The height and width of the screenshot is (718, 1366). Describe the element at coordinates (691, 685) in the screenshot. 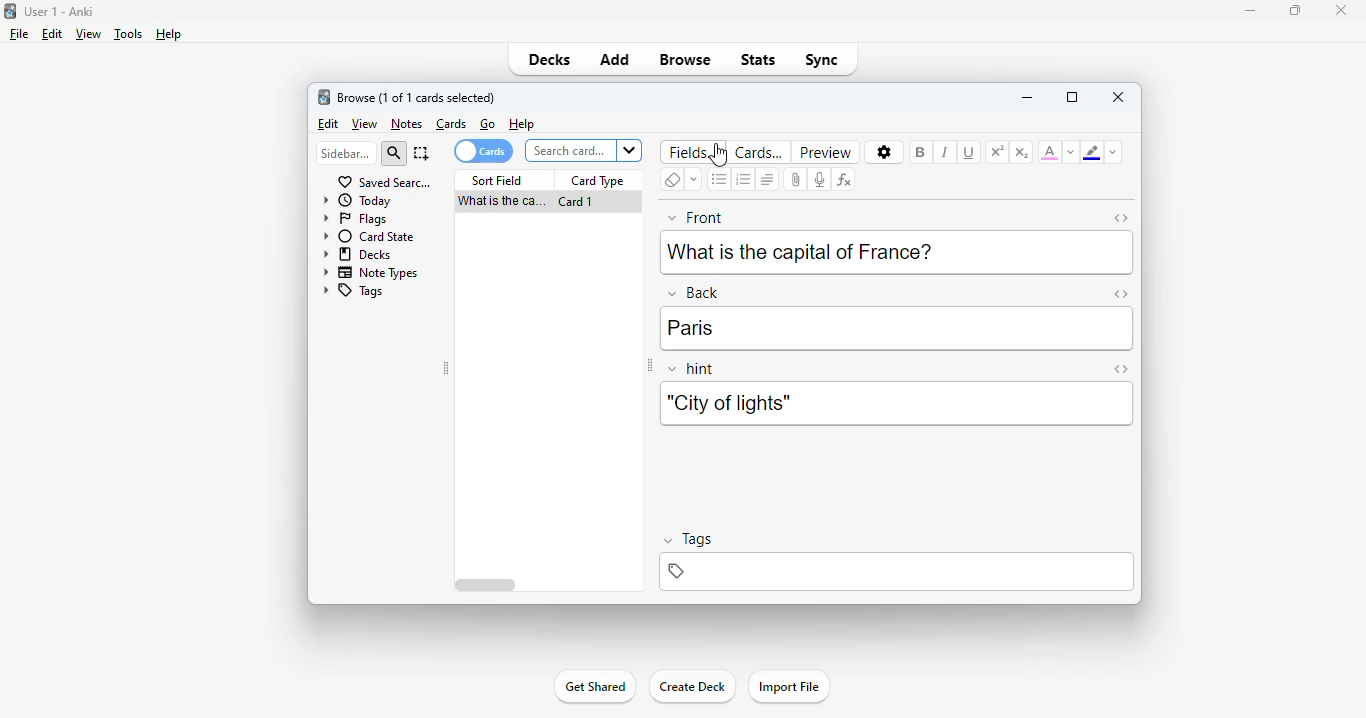

I see `create deck` at that location.